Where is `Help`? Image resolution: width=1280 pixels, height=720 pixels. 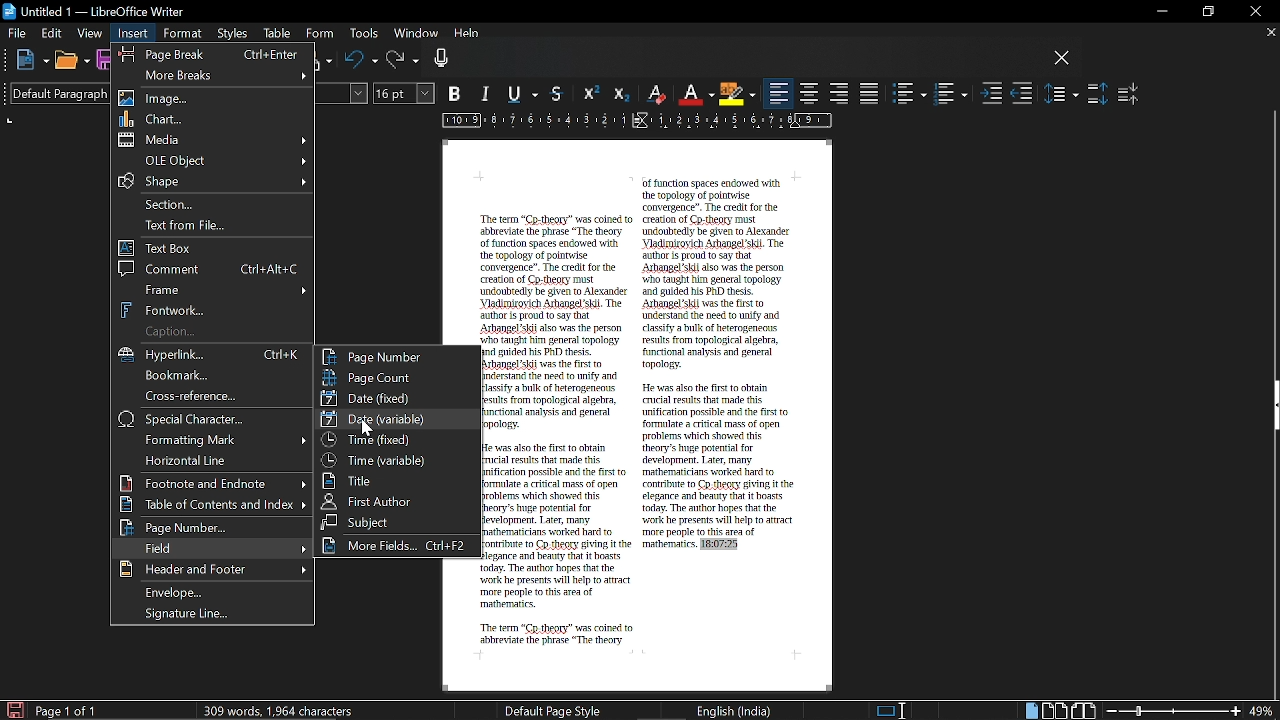 Help is located at coordinates (468, 36).